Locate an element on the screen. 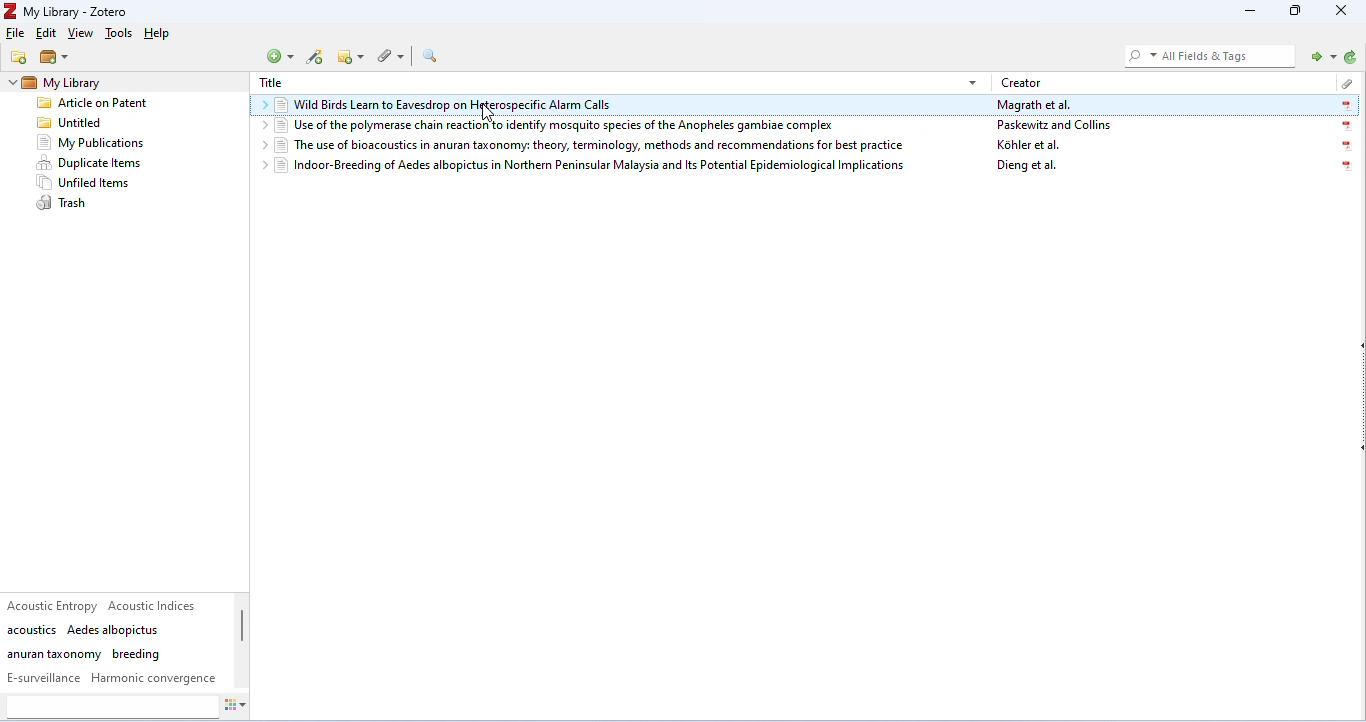 This screenshot has width=1366, height=722. acoustics Aedes albopictus is located at coordinates (84, 630).